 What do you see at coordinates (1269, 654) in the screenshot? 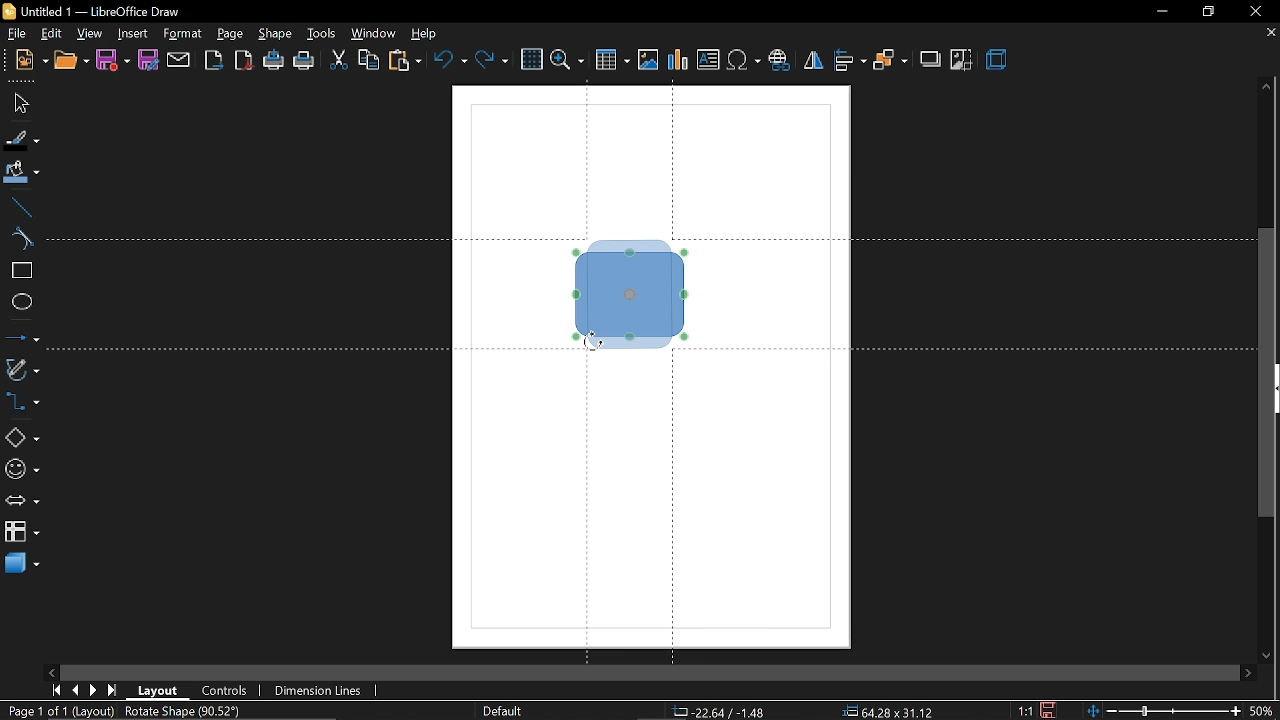
I see `move down` at bounding box center [1269, 654].